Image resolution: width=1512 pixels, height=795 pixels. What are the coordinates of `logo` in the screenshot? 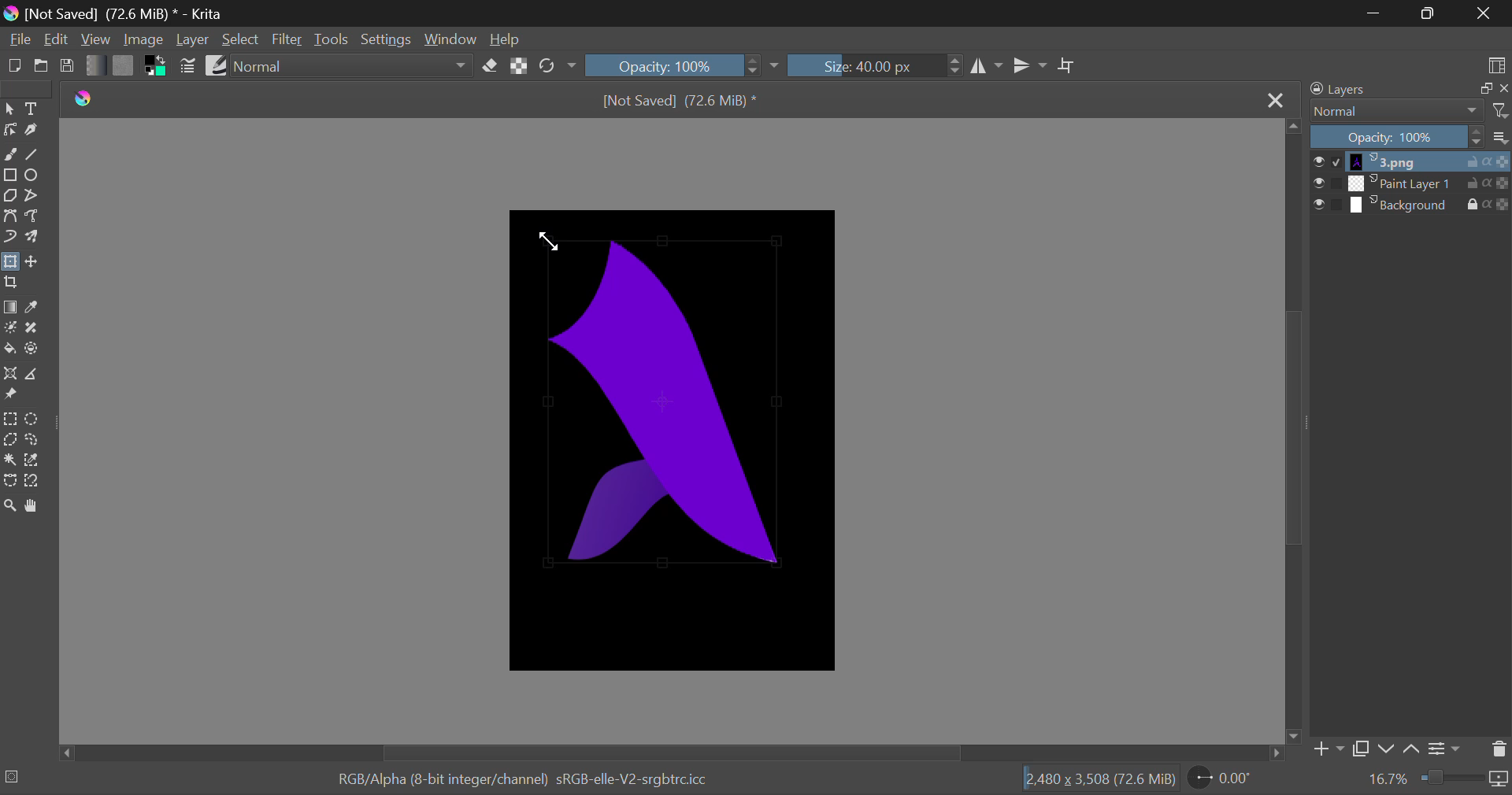 It's located at (87, 99).